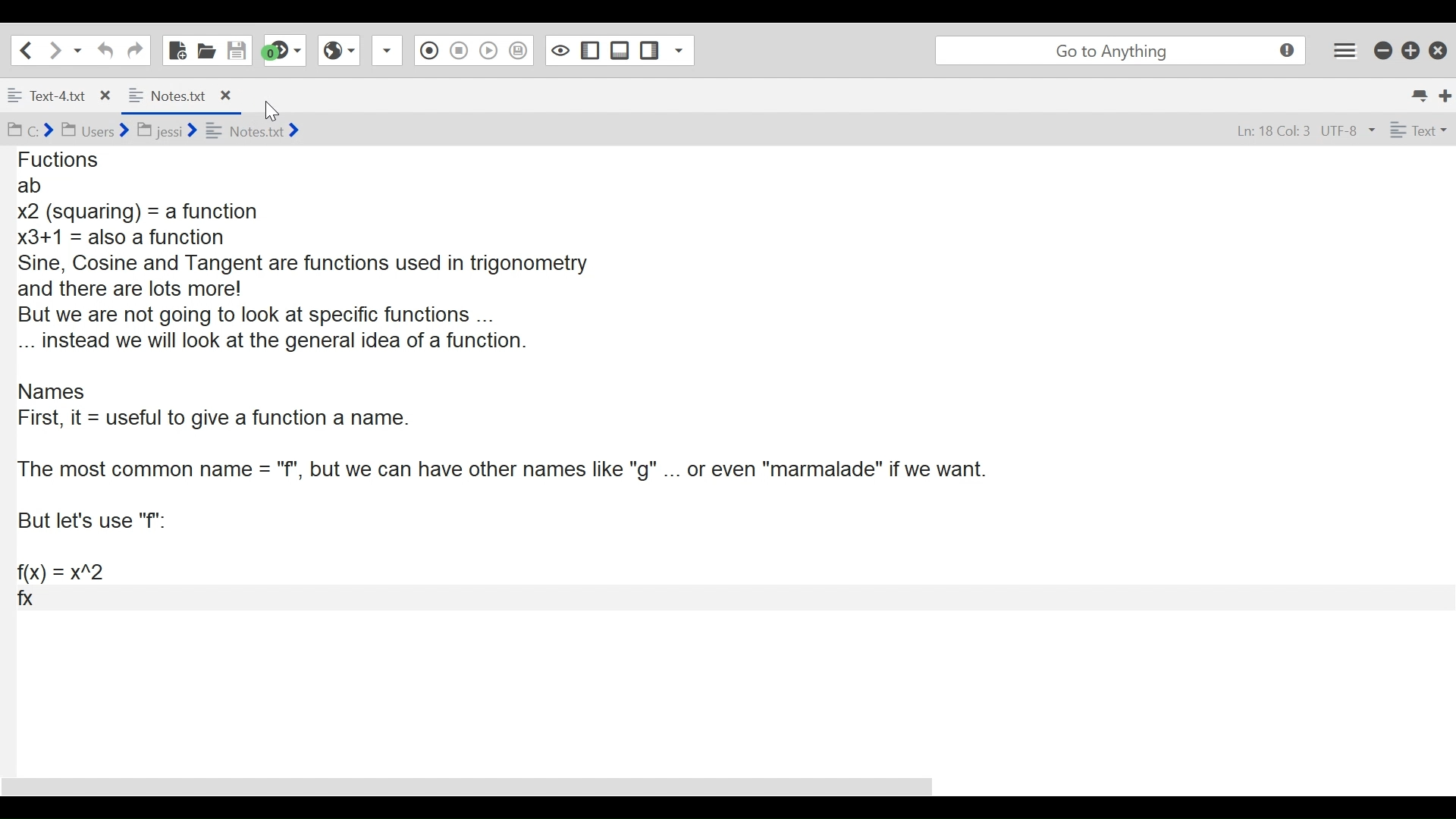 This screenshot has height=819, width=1456. Describe the element at coordinates (340, 51) in the screenshot. I see `View in Browser` at that location.